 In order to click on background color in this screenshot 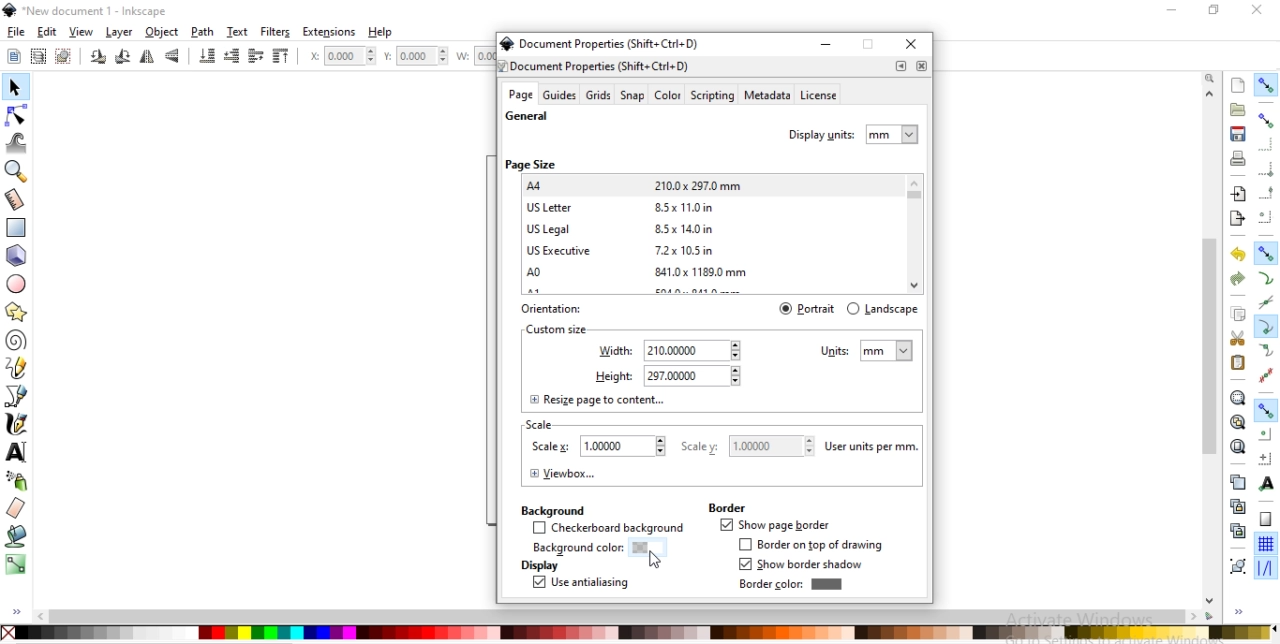, I will do `click(592, 549)`.